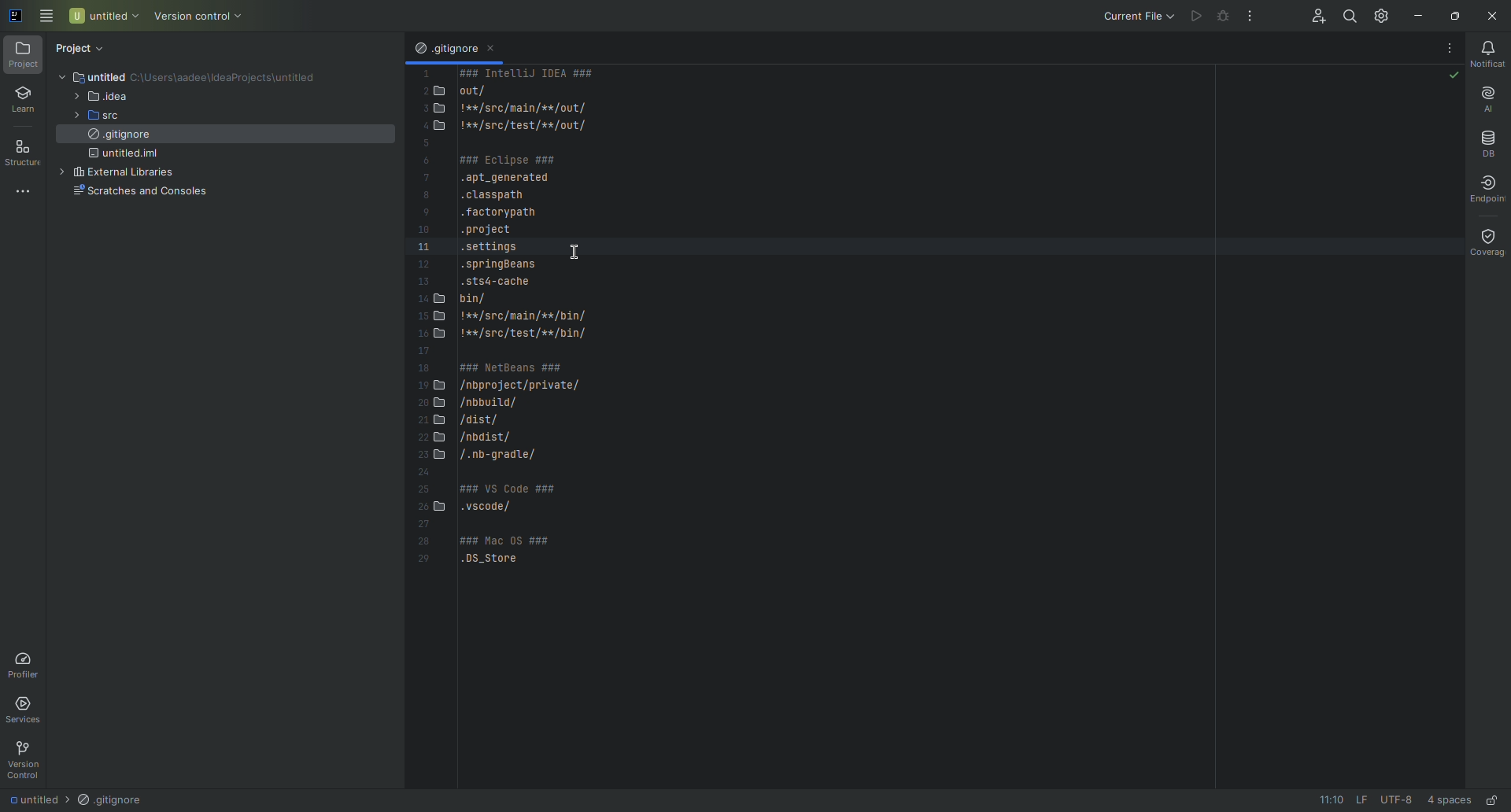 The width and height of the screenshot is (1511, 812). What do you see at coordinates (1491, 55) in the screenshot?
I see `Notifications` at bounding box center [1491, 55].